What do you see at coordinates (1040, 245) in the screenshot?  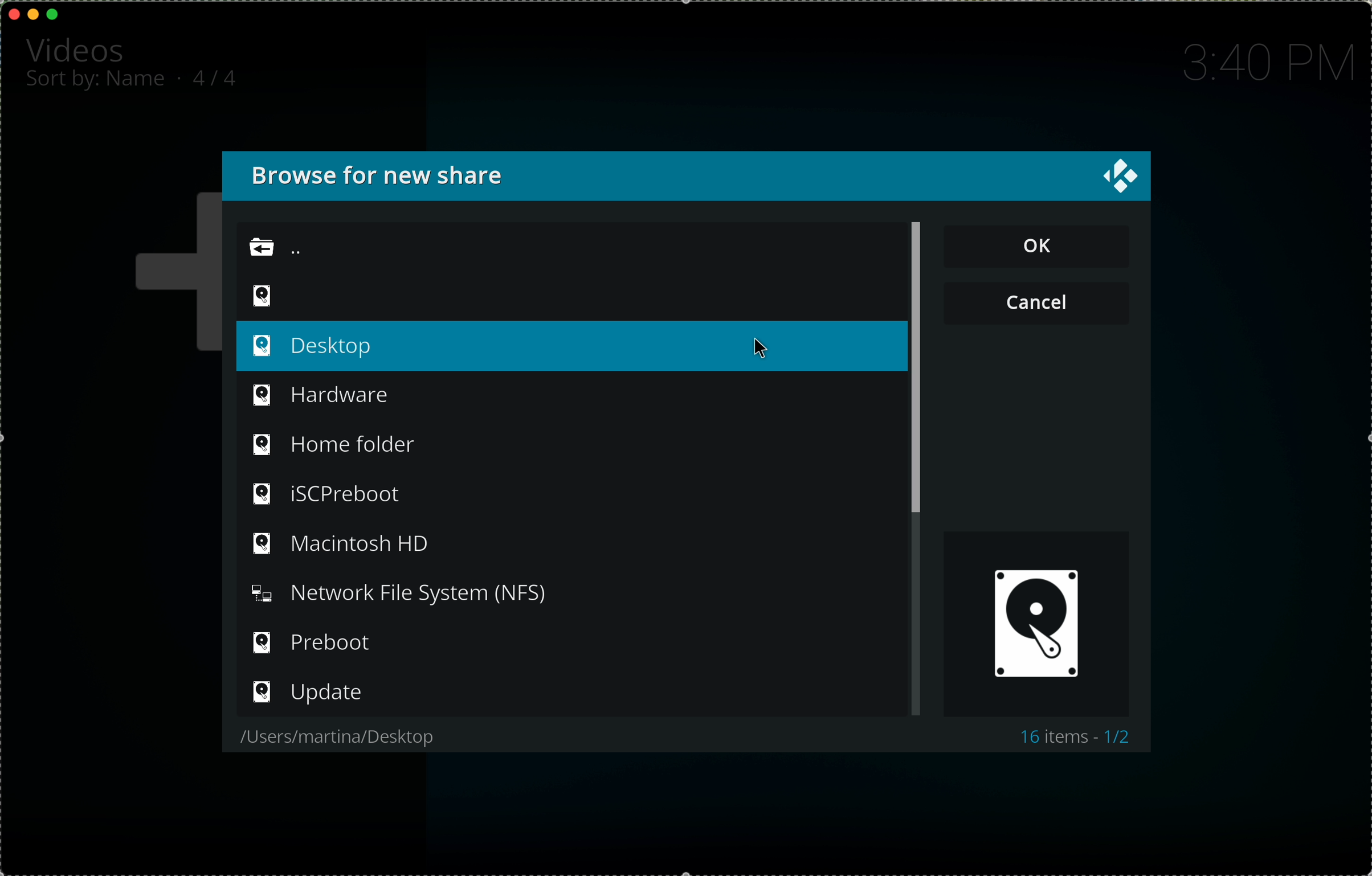 I see `OK` at bounding box center [1040, 245].